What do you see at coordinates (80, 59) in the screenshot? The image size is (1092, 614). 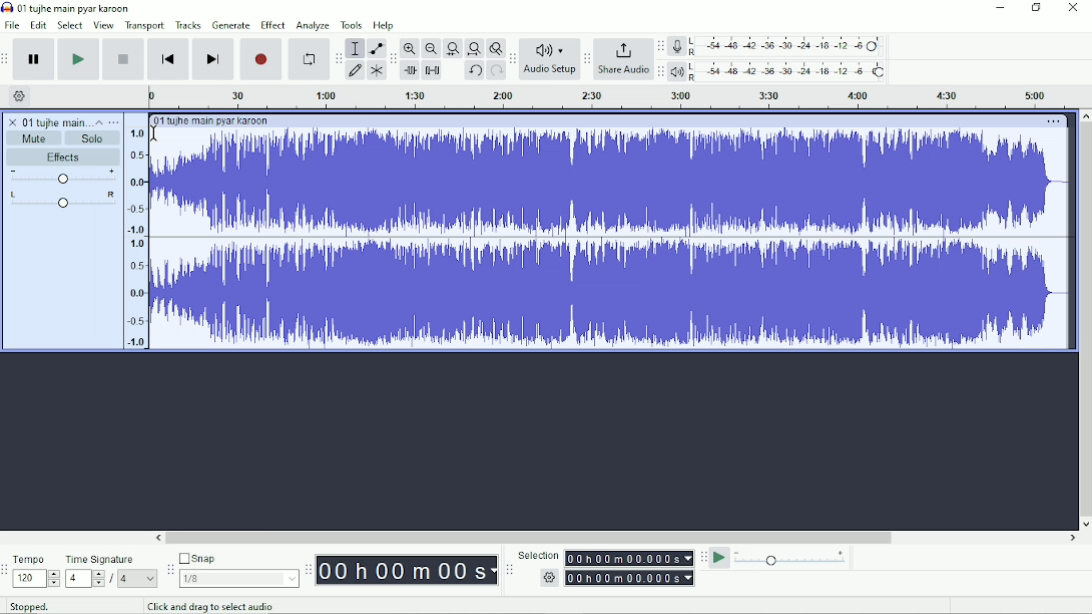 I see `Play` at bounding box center [80, 59].